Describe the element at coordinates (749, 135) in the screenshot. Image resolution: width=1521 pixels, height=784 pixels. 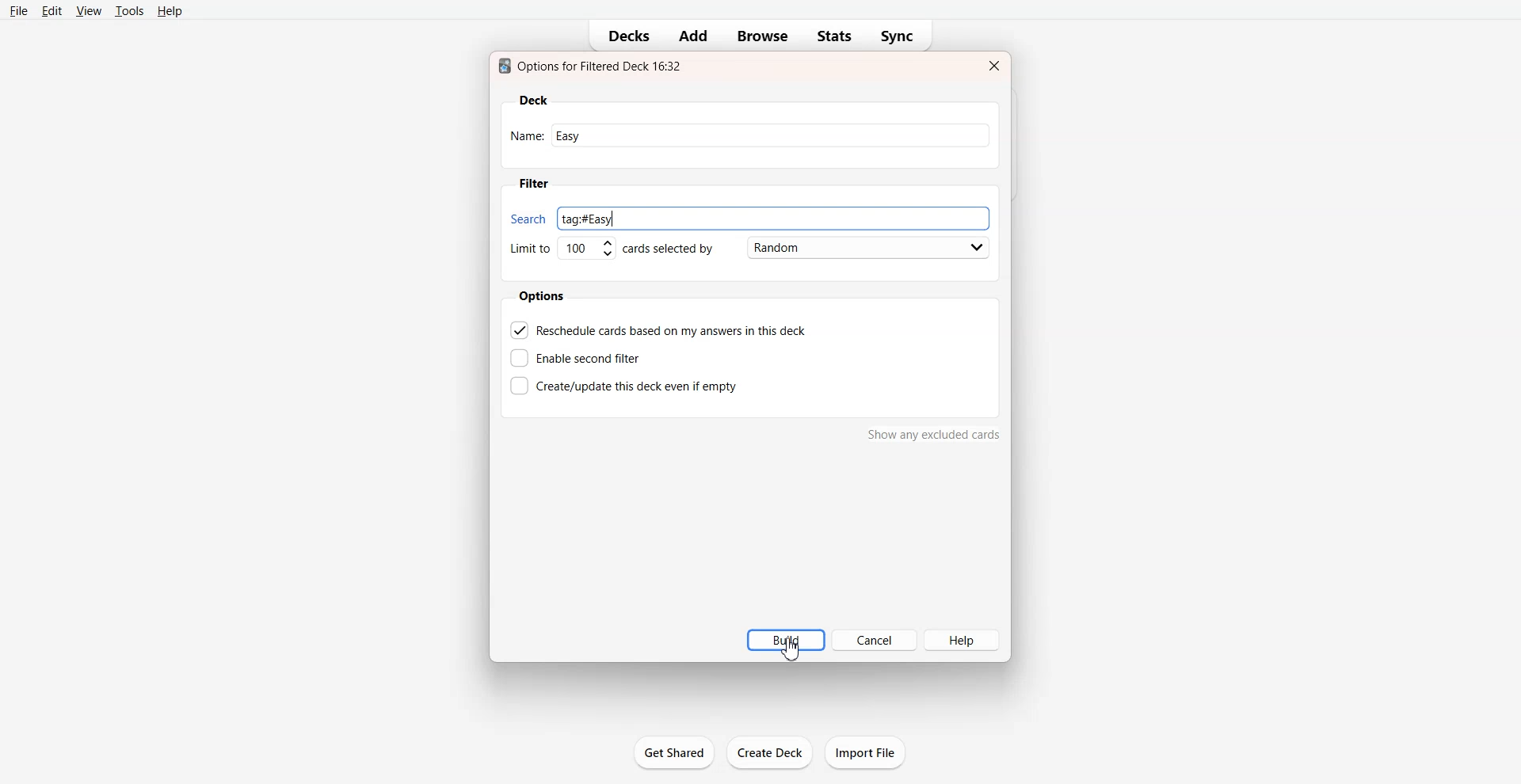
I see `Enter Name` at that location.